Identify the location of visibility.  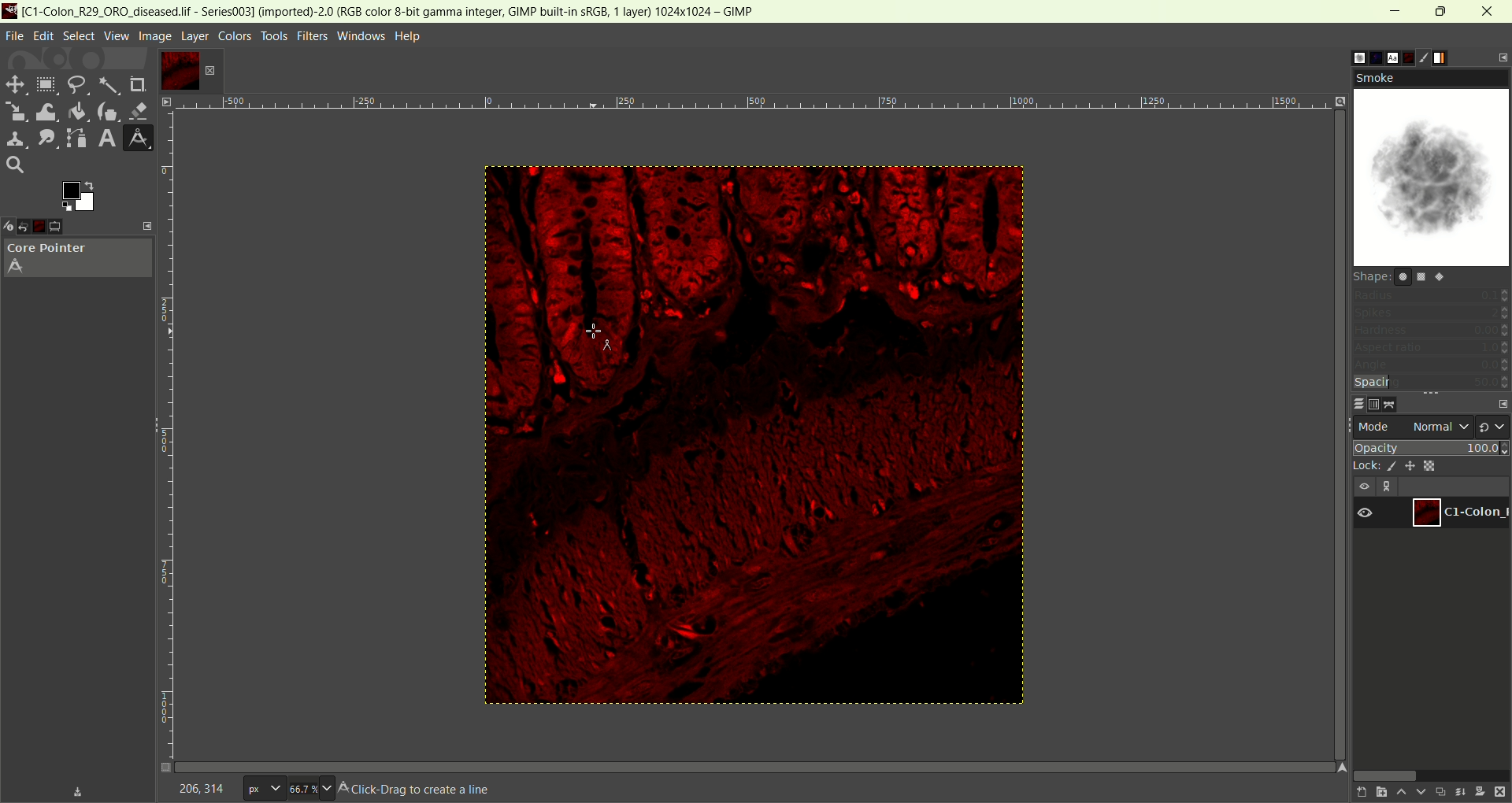
(1363, 487).